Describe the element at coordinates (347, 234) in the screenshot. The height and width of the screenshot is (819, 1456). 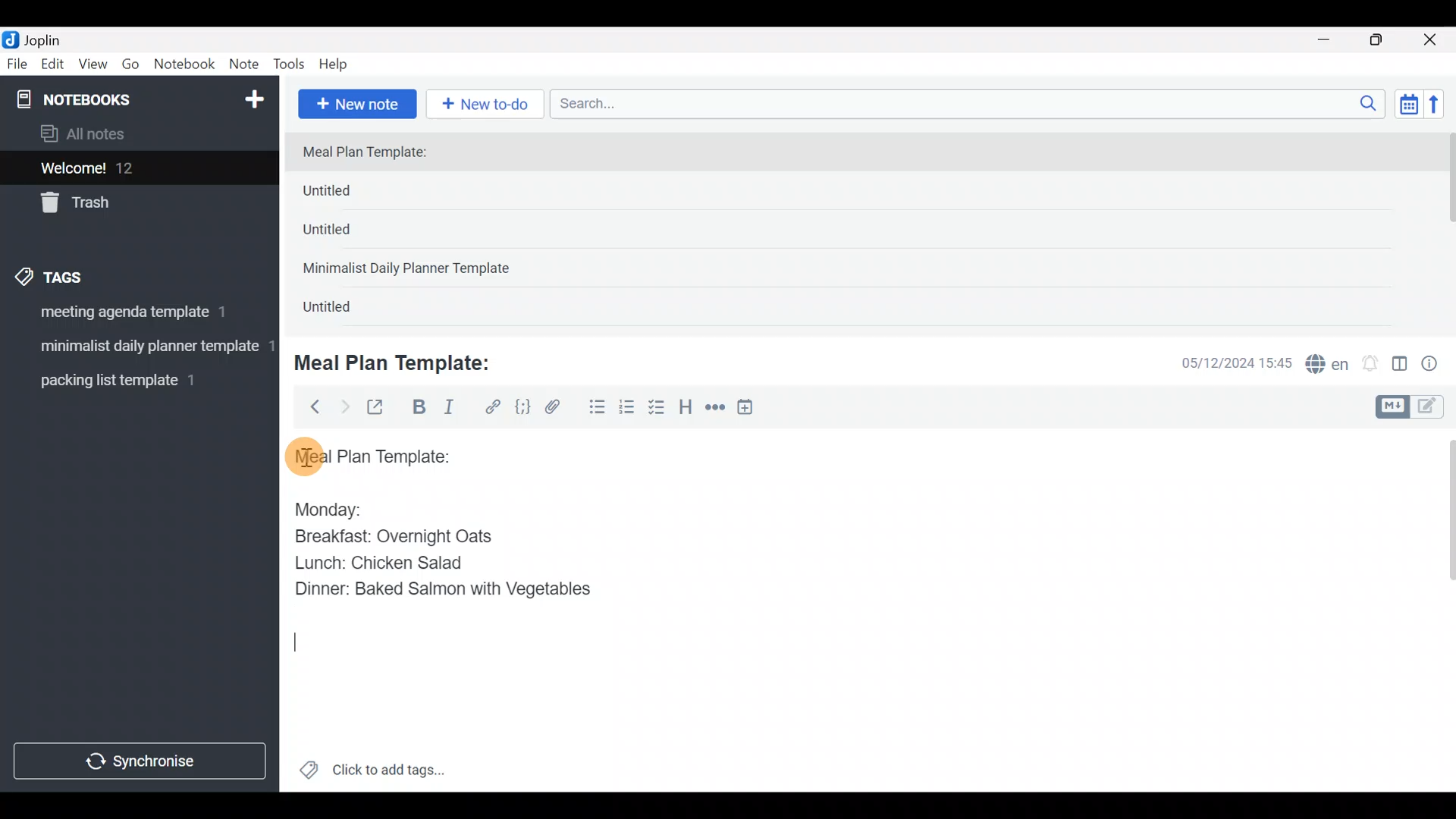
I see `Untitled` at that location.